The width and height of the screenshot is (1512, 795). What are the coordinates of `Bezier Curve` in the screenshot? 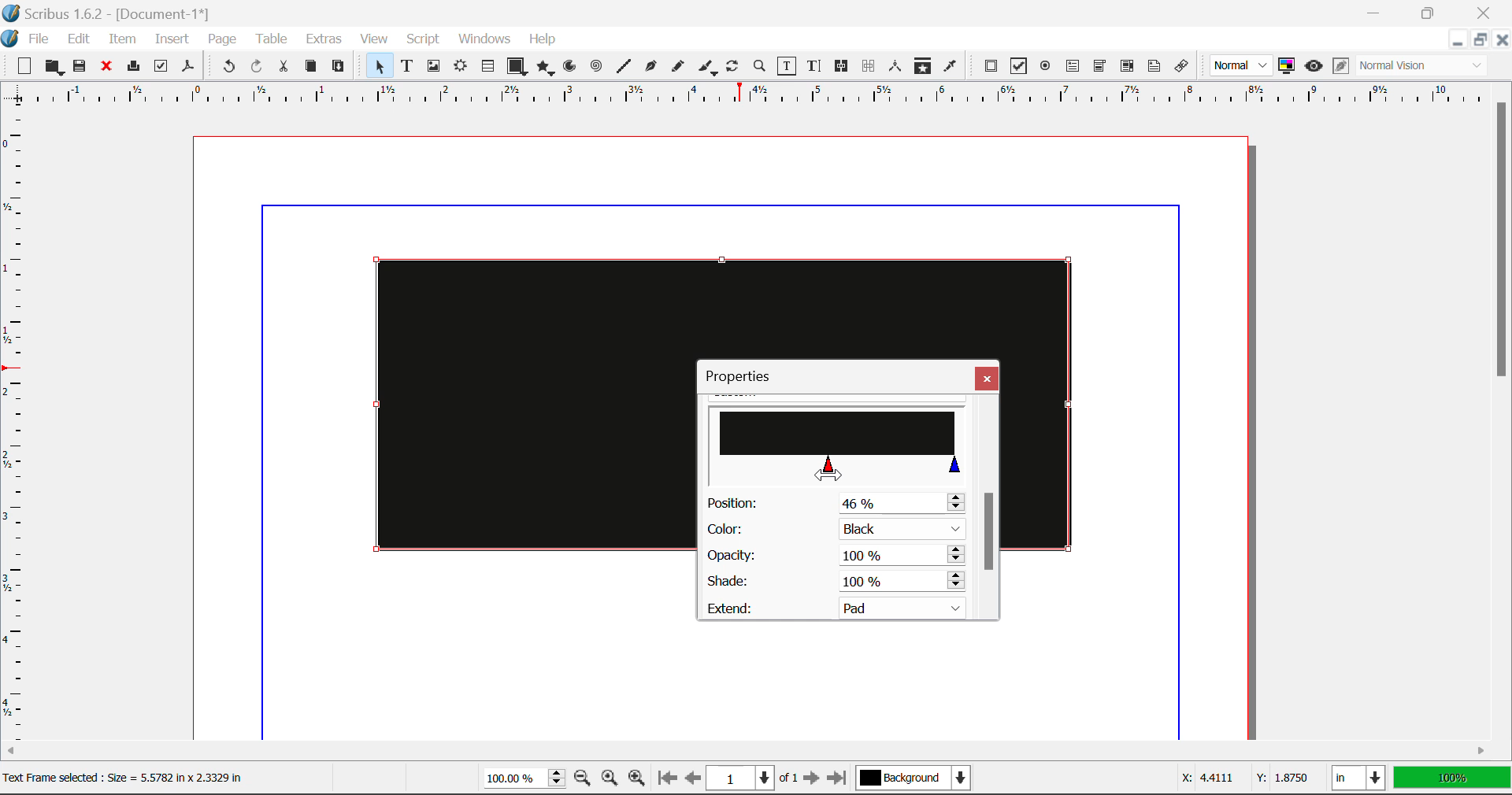 It's located at (651, 68).